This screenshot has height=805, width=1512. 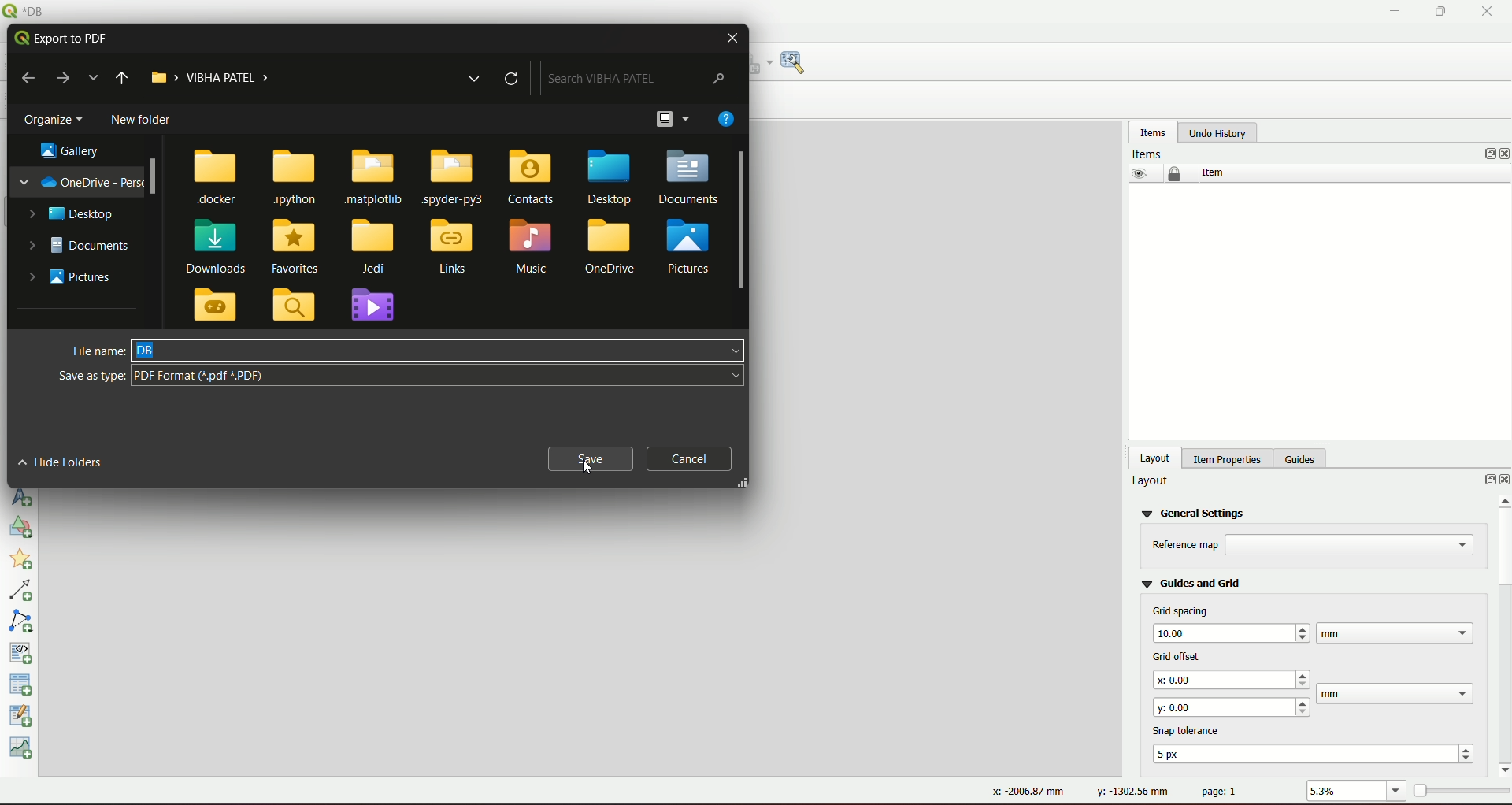 I want to click on pictures, so click(x=691, y=246).